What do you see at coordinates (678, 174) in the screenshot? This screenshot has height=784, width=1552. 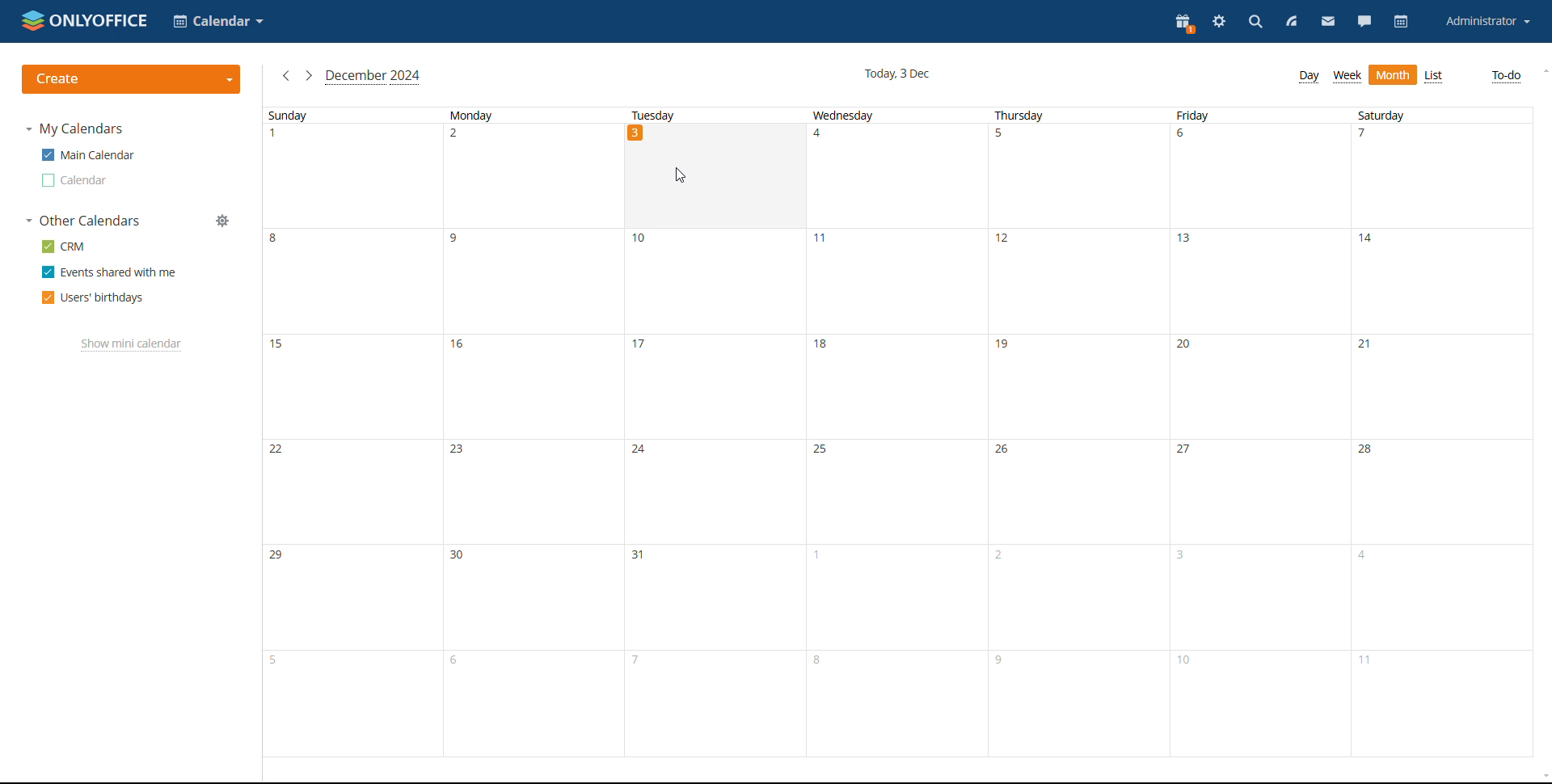 I see `cursor` at bounding box center [678, 174].